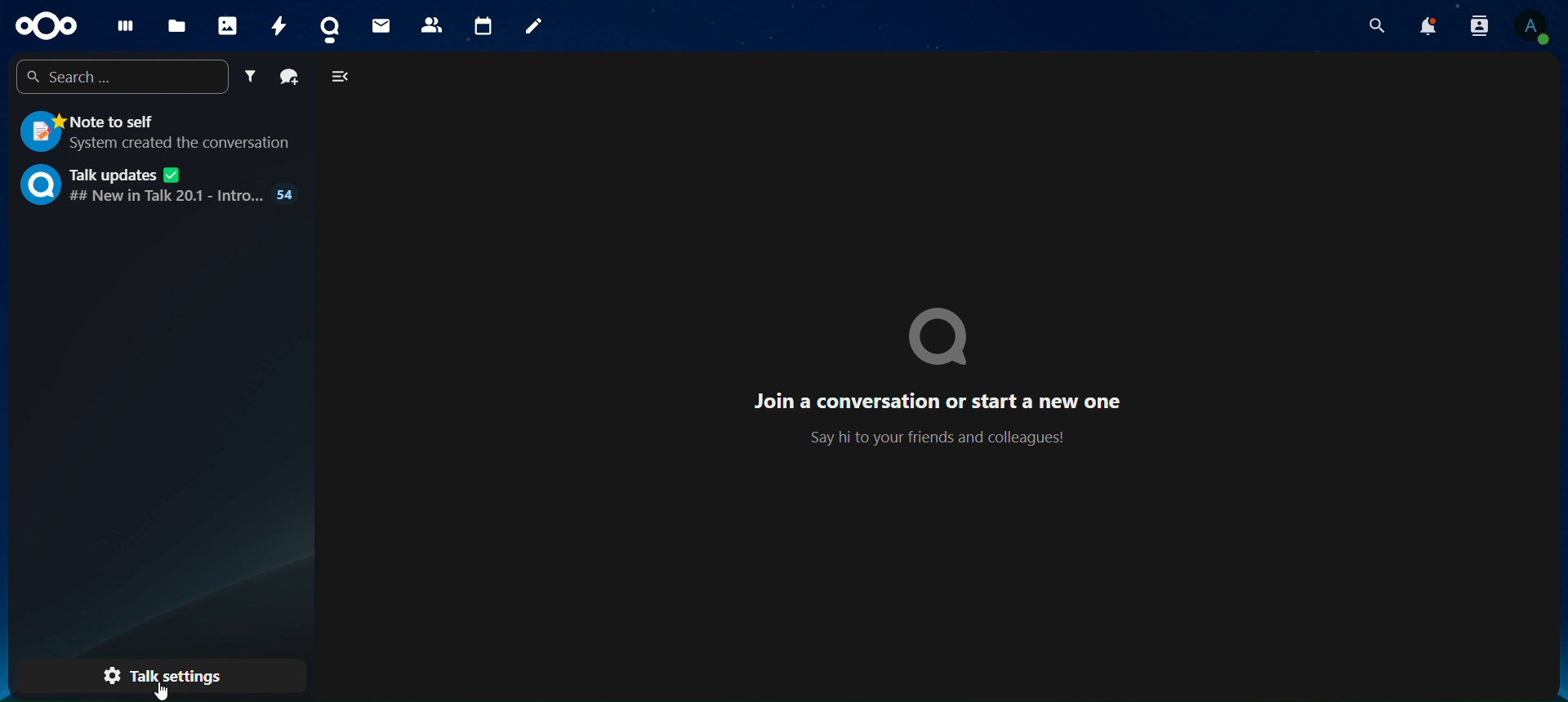  Describe the element at coordinates (383, 24) in the screenshot. I see `mail` at that location.